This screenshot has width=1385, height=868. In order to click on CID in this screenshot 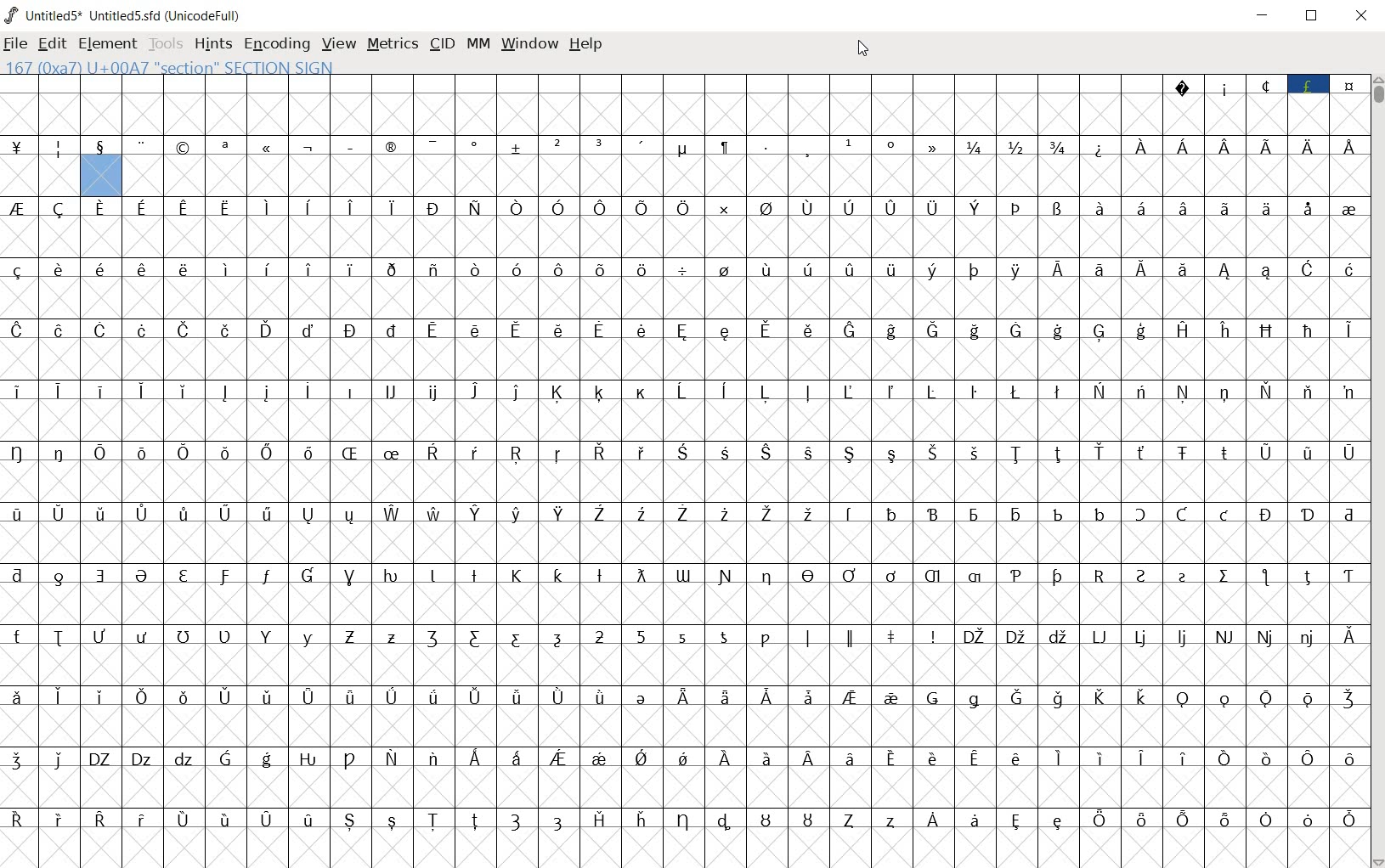, I will do `click(442, 44)`.